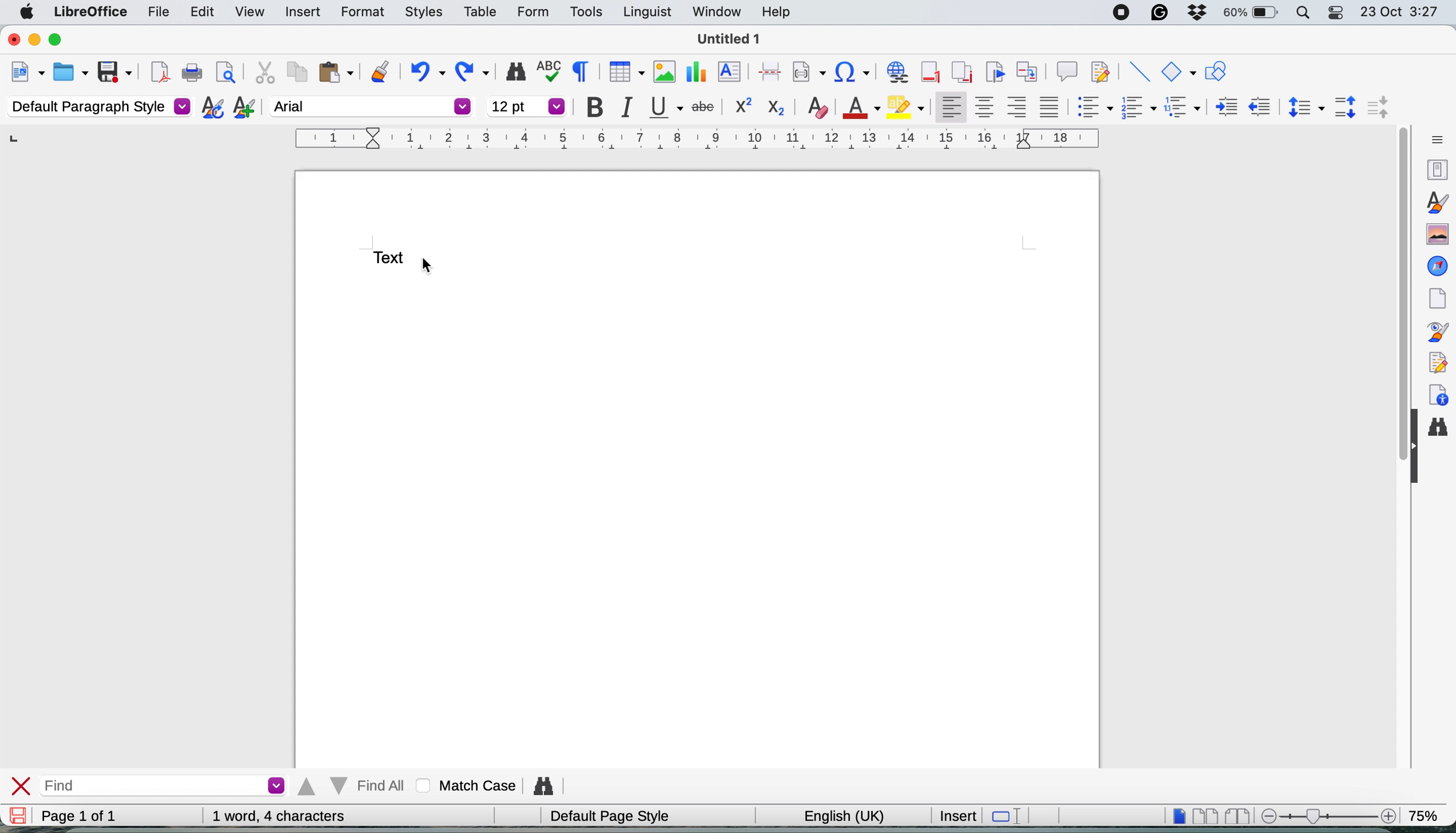 This screenshot has height=833, width=1456. Describe the element at coordinates (957, 815) in the screenshot. I see `insert` at that location.